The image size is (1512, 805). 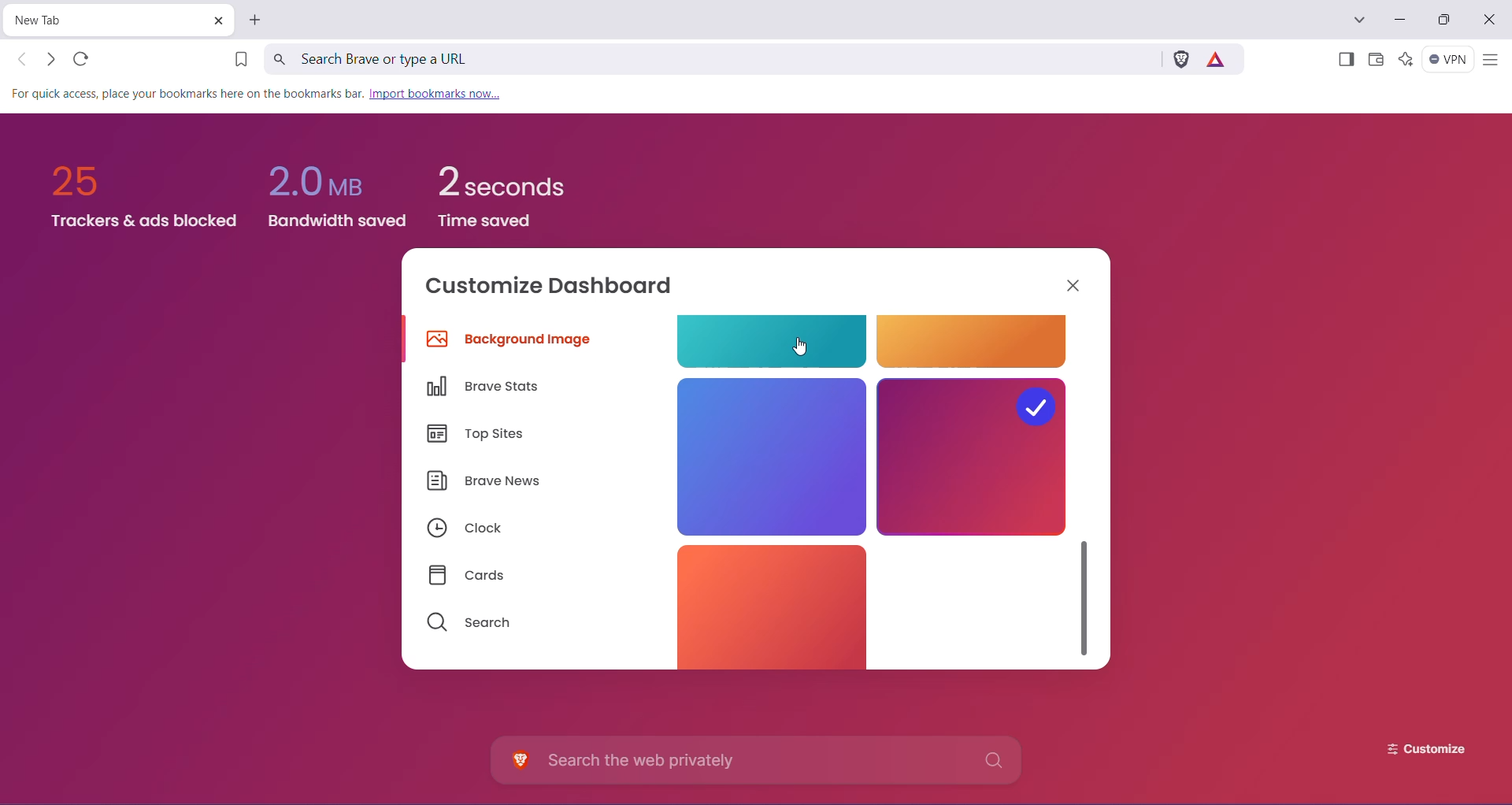 What do you see at coordinates (335, 182) in the screenshot?
I see `2.0 Bandwidth saved` at bounding box center [335, 182].